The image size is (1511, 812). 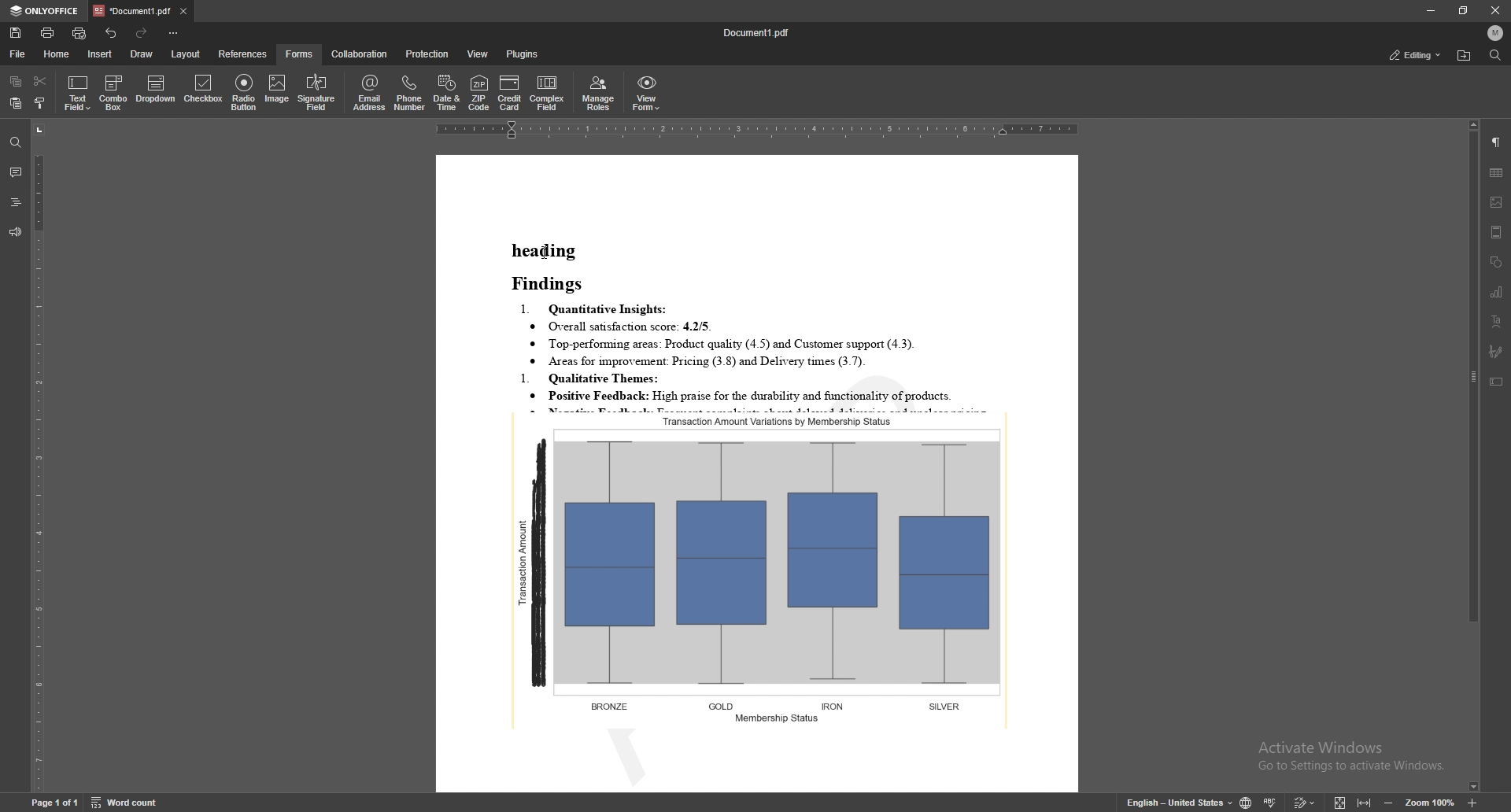 I want to click on close tab, so click(x=183, y=13).